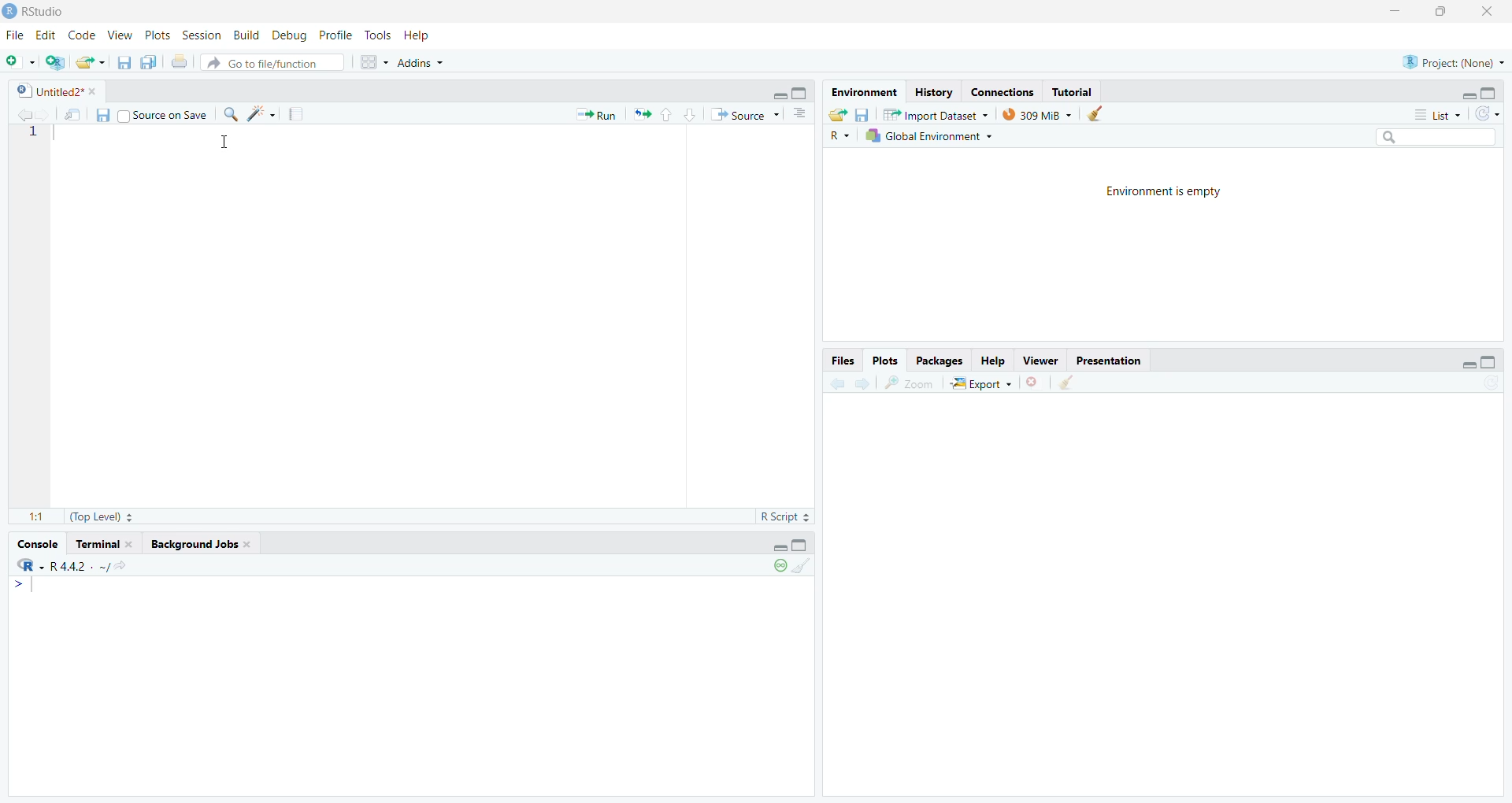 This screenshot has width=1512, height=803. Describe the element at coordinates (805, 546) in the screenshot. I see `maximise` at that location.